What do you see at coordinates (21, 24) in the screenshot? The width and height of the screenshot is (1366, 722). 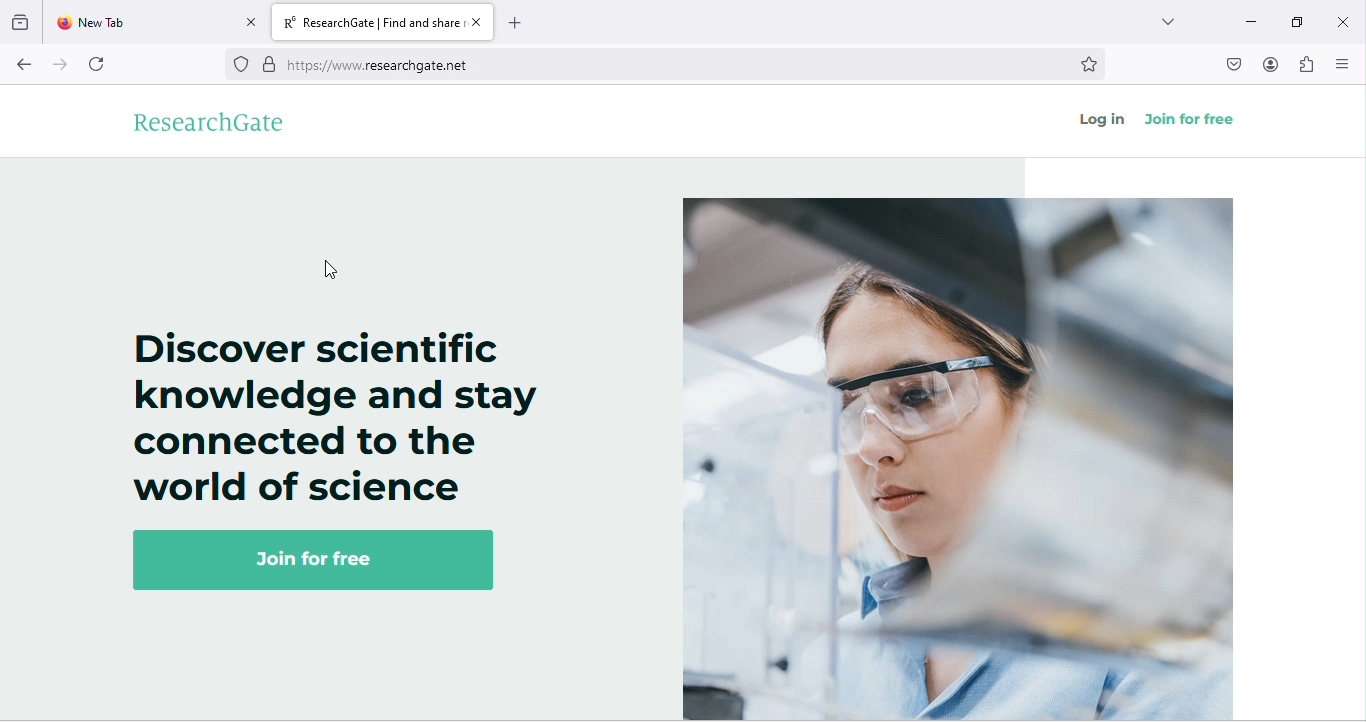 I see `group` at bounding box center [21, 24].